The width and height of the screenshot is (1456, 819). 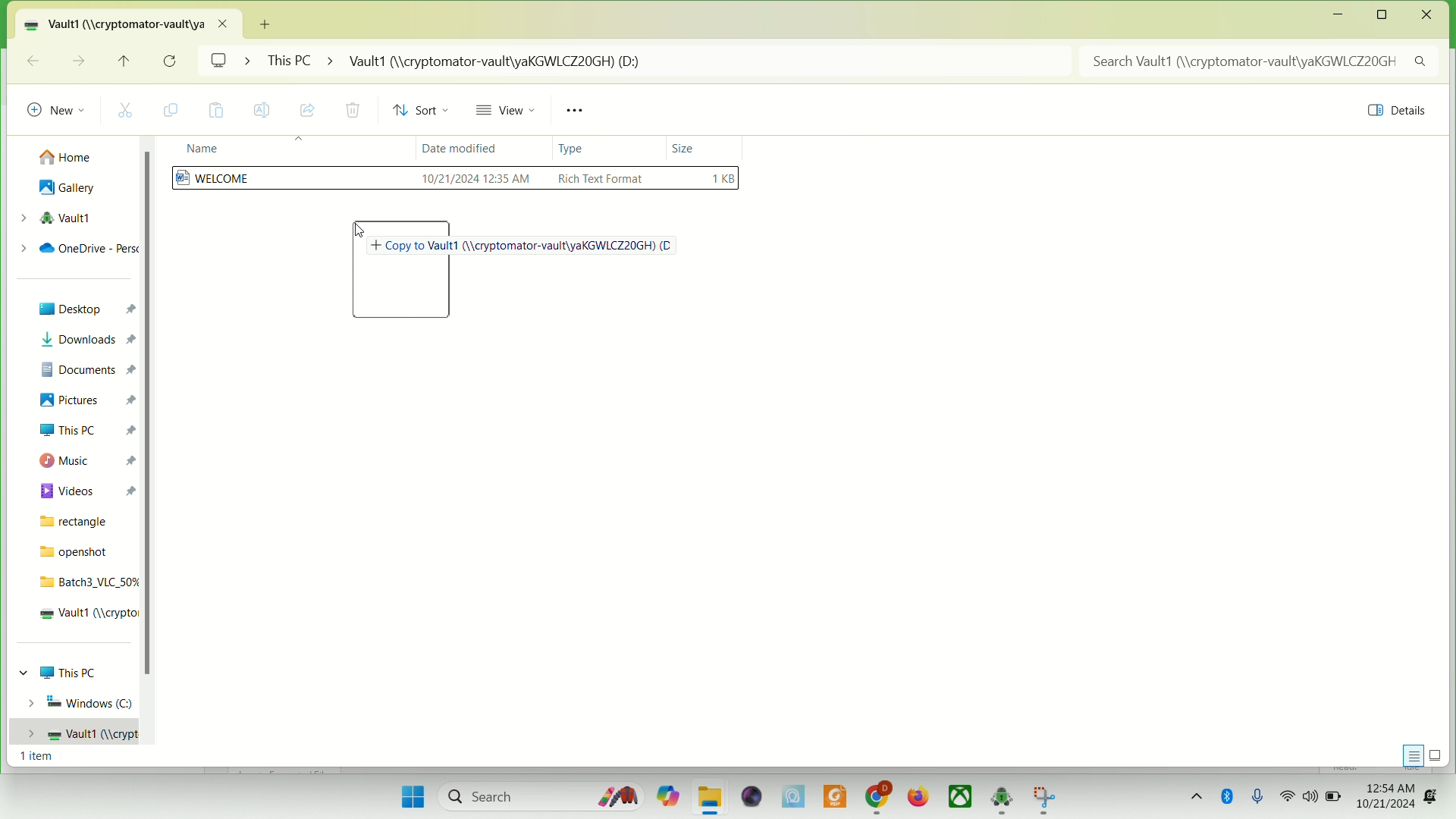 I want to click on date, so click(x=1386, y=806).